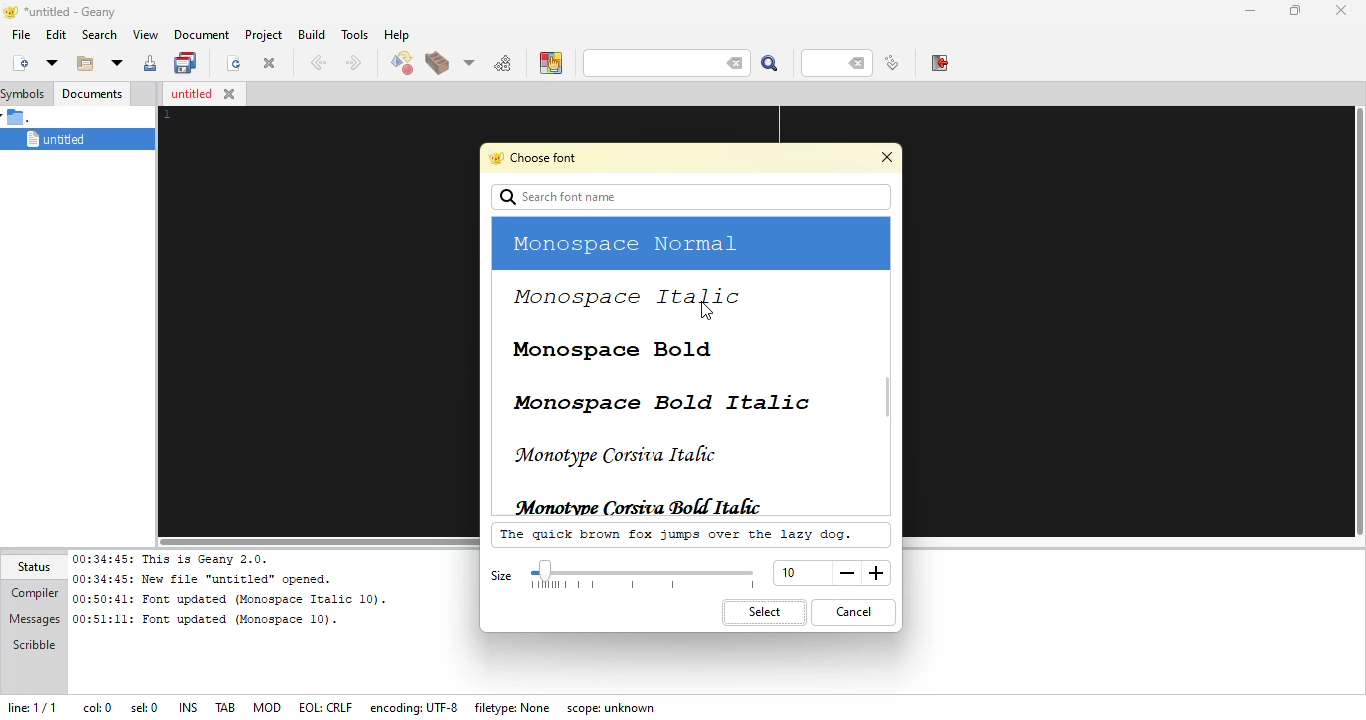  Describe the element at coordinates (793, 571) in the screenshot. I see `size` at that location.